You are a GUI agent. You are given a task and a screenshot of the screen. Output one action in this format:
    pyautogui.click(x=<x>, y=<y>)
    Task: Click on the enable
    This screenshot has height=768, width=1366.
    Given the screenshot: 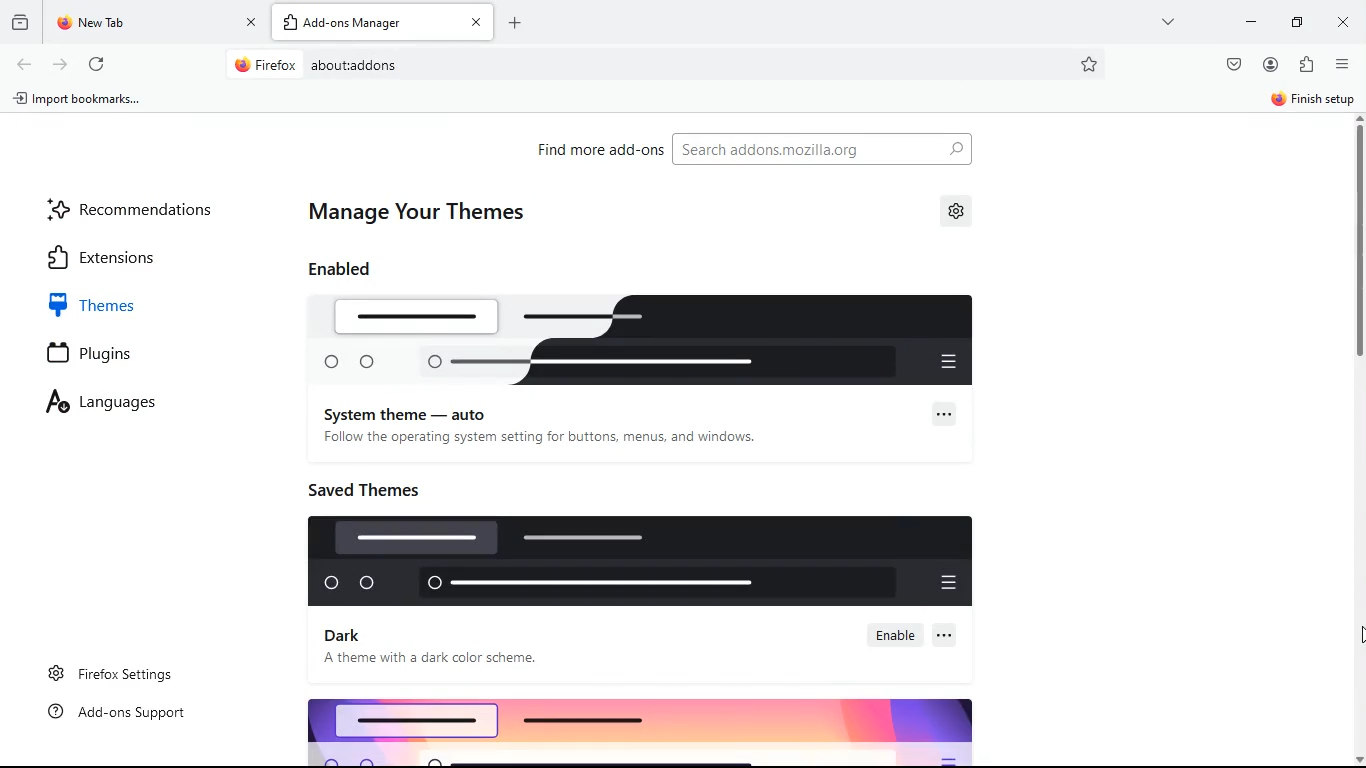 What is the action you would take?
    pyautogui.click(x=898, y=634)
    